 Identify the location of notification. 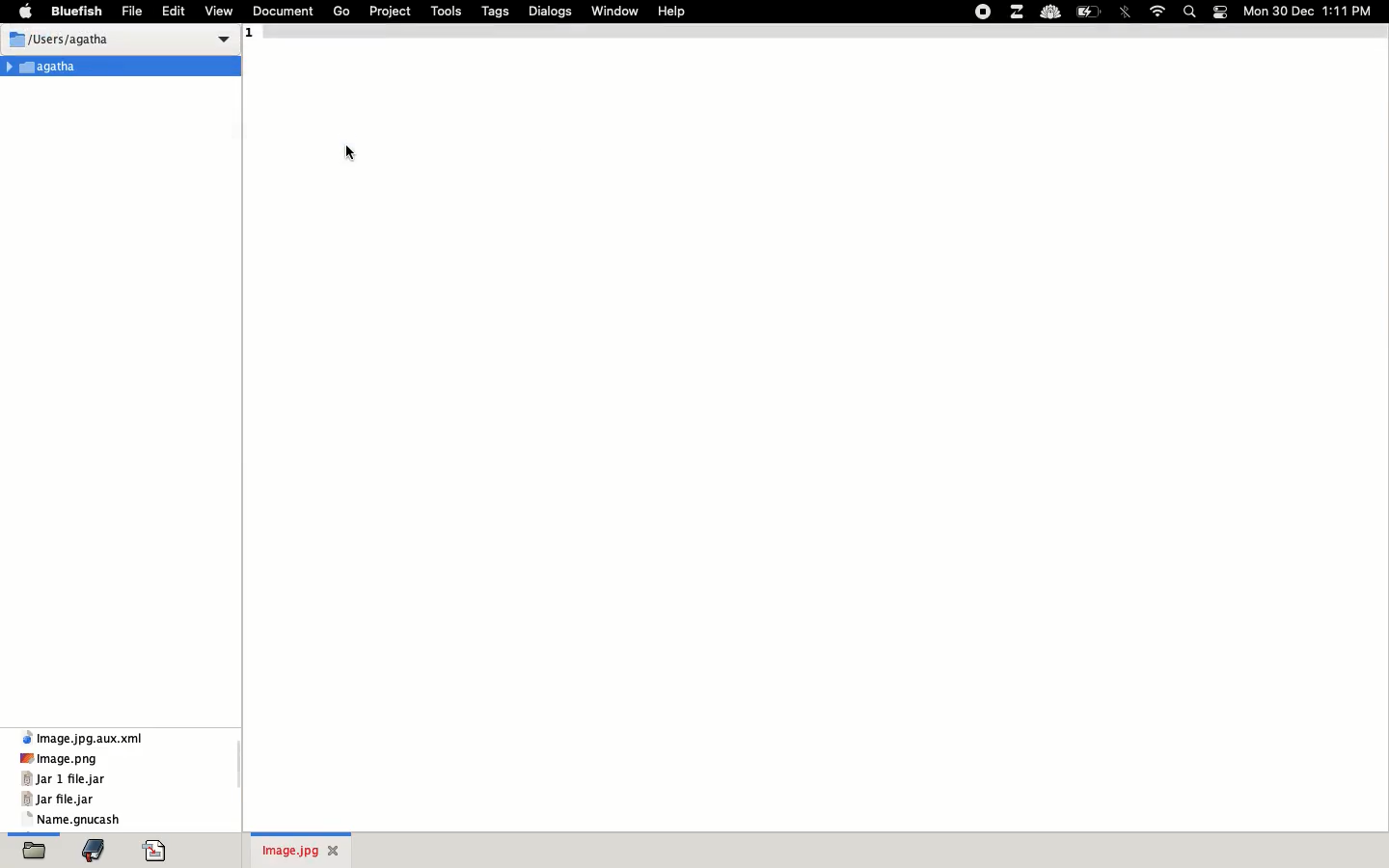
(1222, 12).